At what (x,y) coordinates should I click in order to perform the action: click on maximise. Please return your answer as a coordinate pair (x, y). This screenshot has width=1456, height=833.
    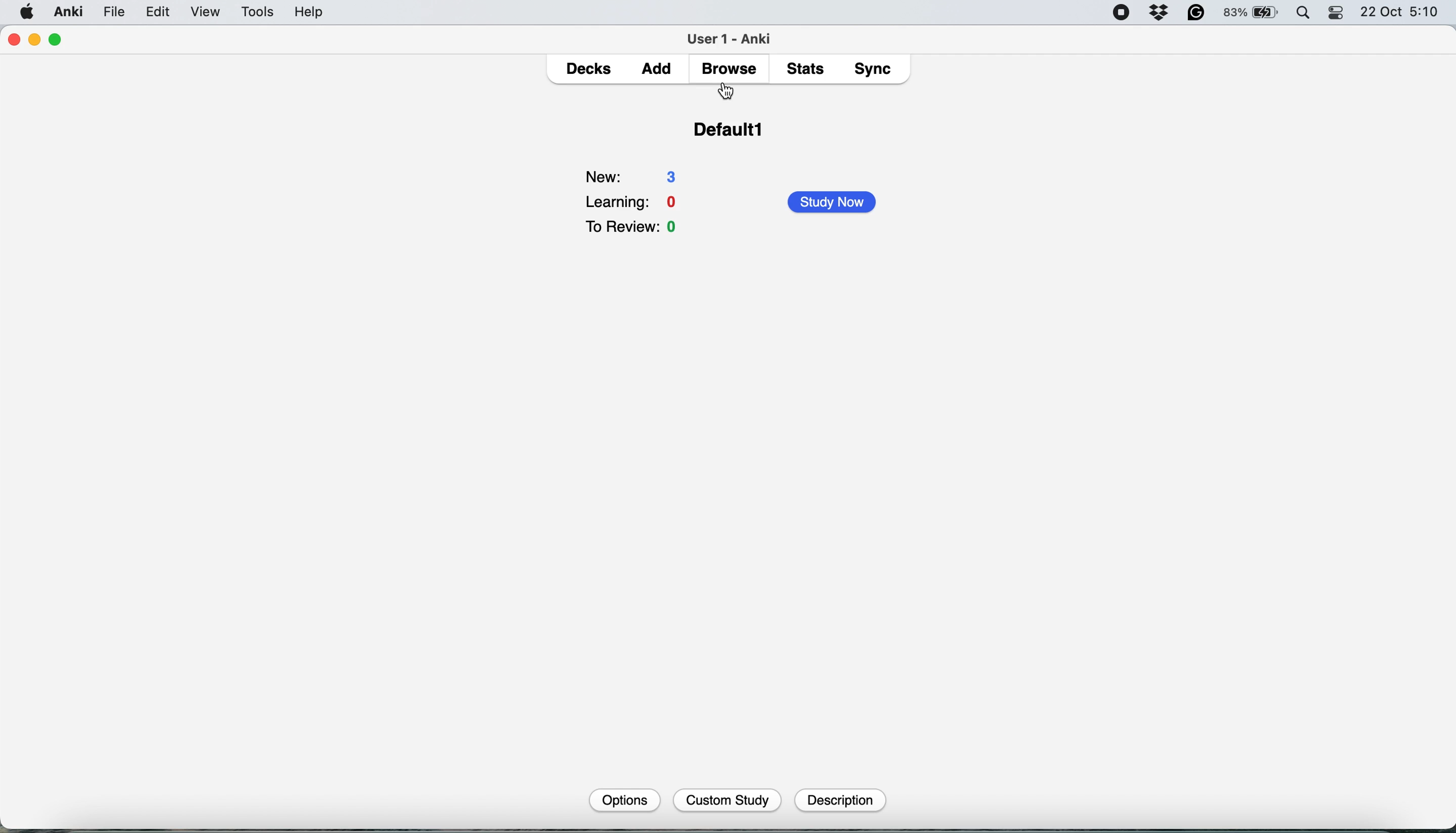
    Looking at the image, I should click on (56, 40).